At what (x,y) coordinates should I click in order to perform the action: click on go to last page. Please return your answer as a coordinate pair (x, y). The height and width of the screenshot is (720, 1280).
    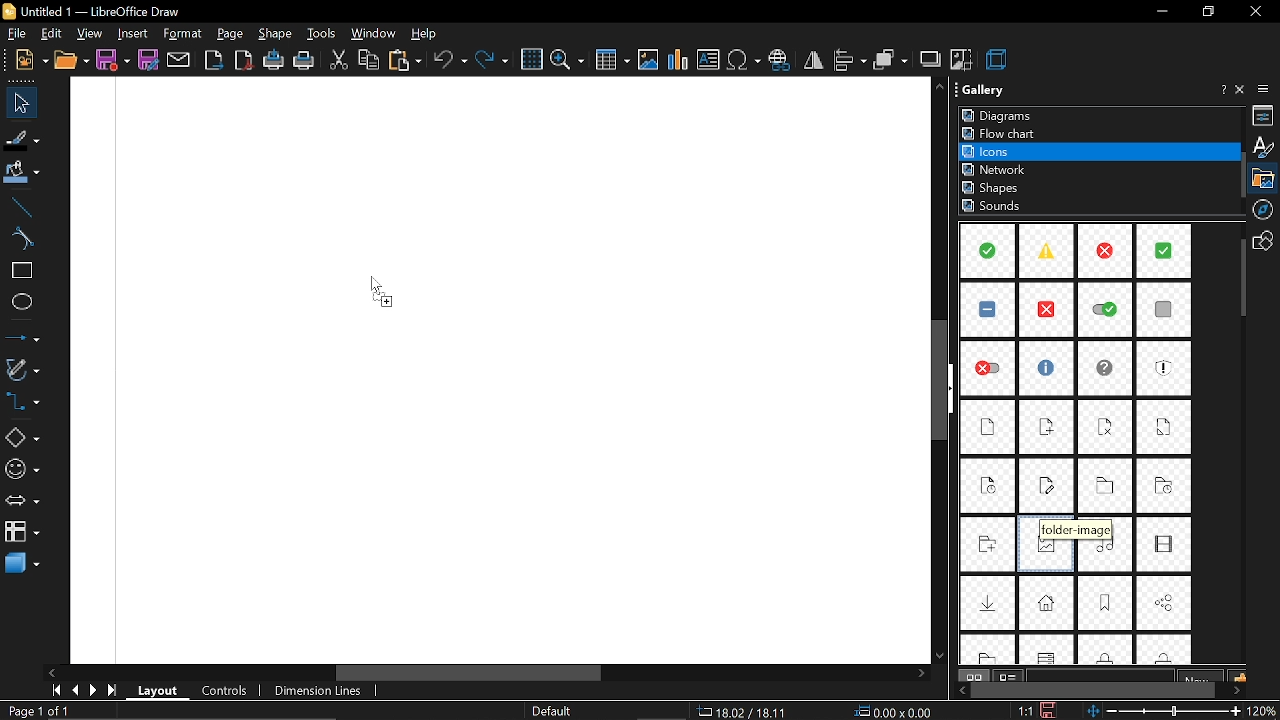
    Looking at the image, I should click on (112, 692).